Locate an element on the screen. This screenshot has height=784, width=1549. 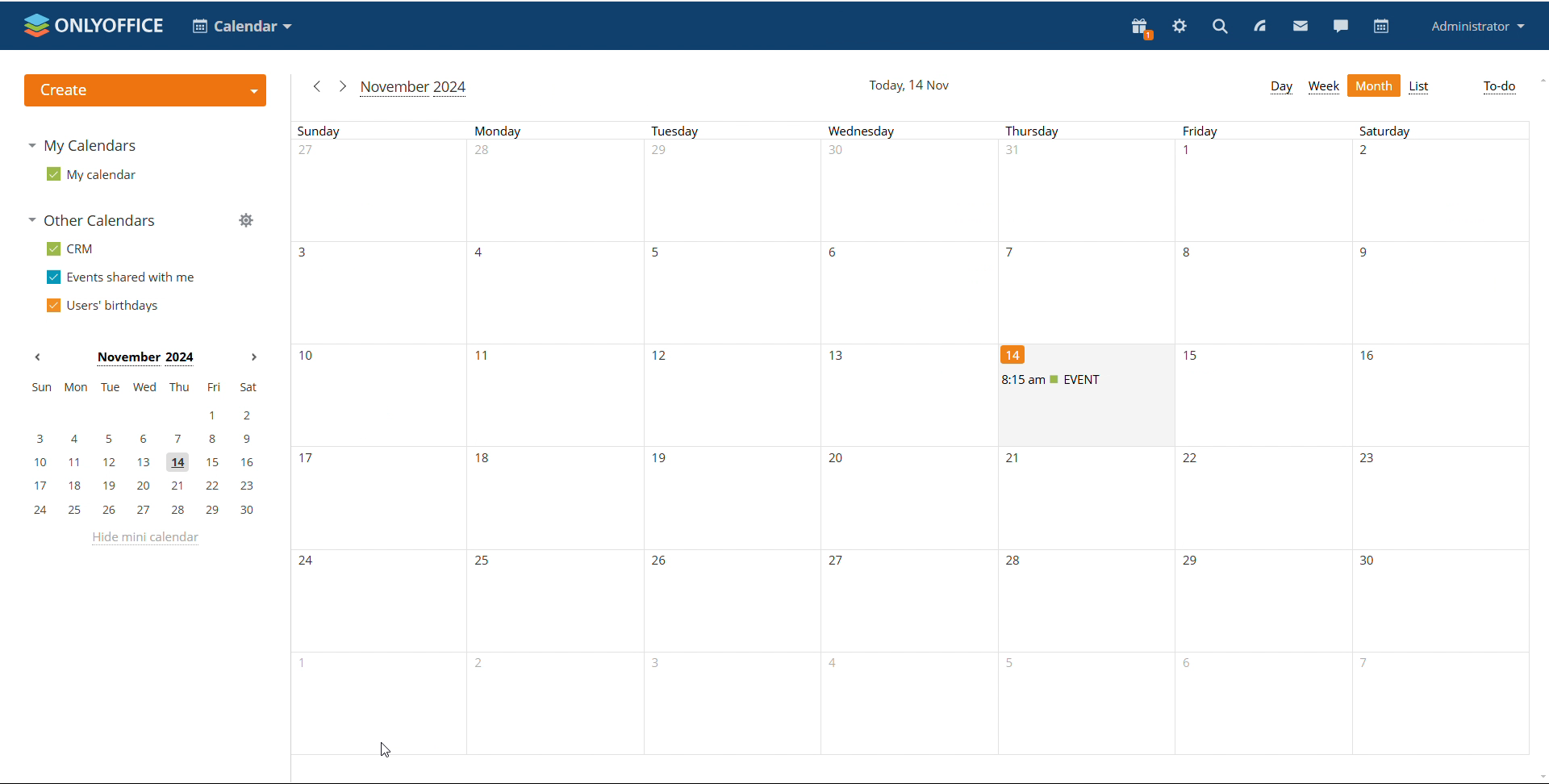
current month is located at coordinates (144, 359).